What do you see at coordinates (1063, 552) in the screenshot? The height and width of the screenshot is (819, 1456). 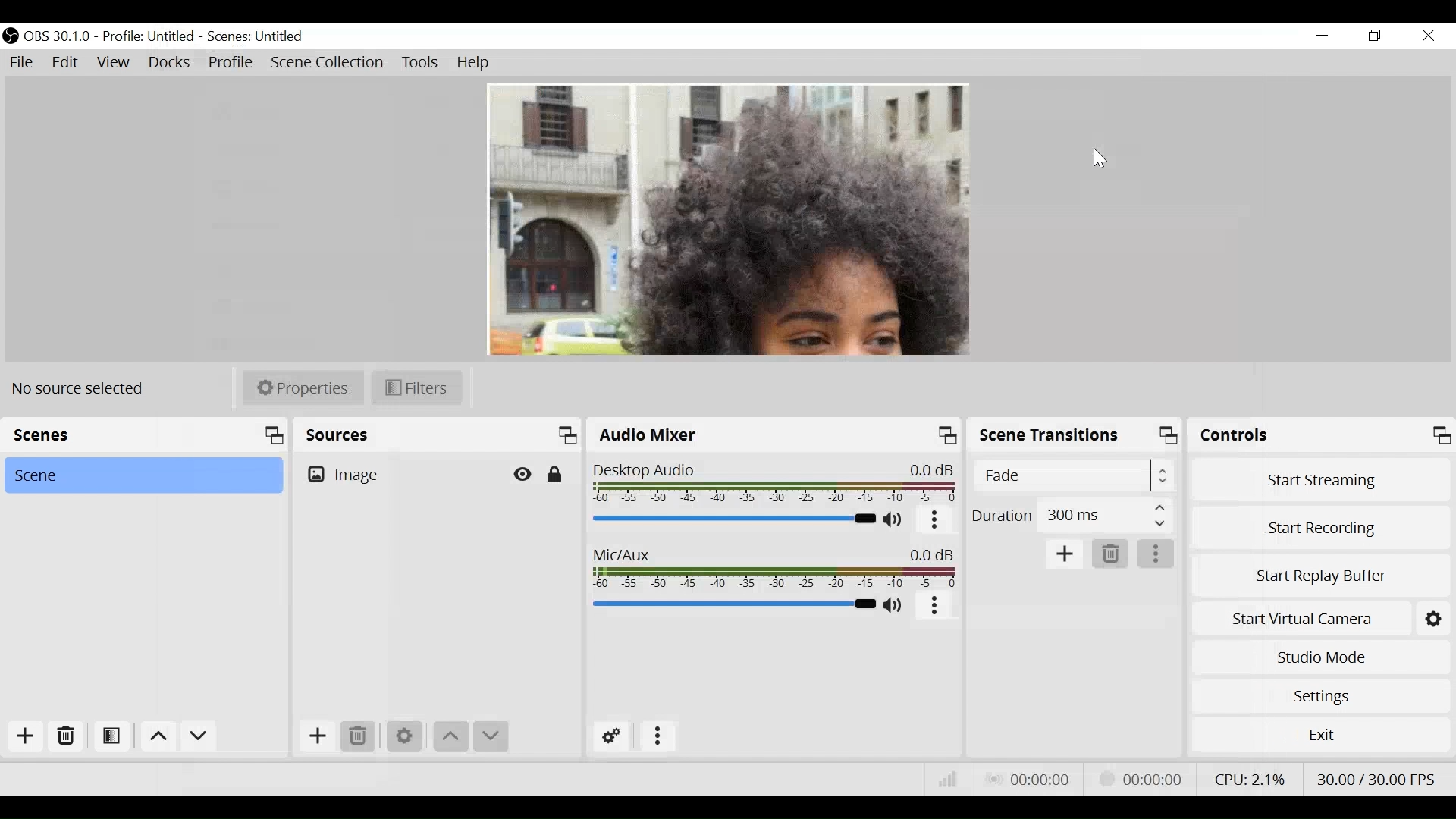 I see `New Scene Transition` at bounding box center [1063, 552].